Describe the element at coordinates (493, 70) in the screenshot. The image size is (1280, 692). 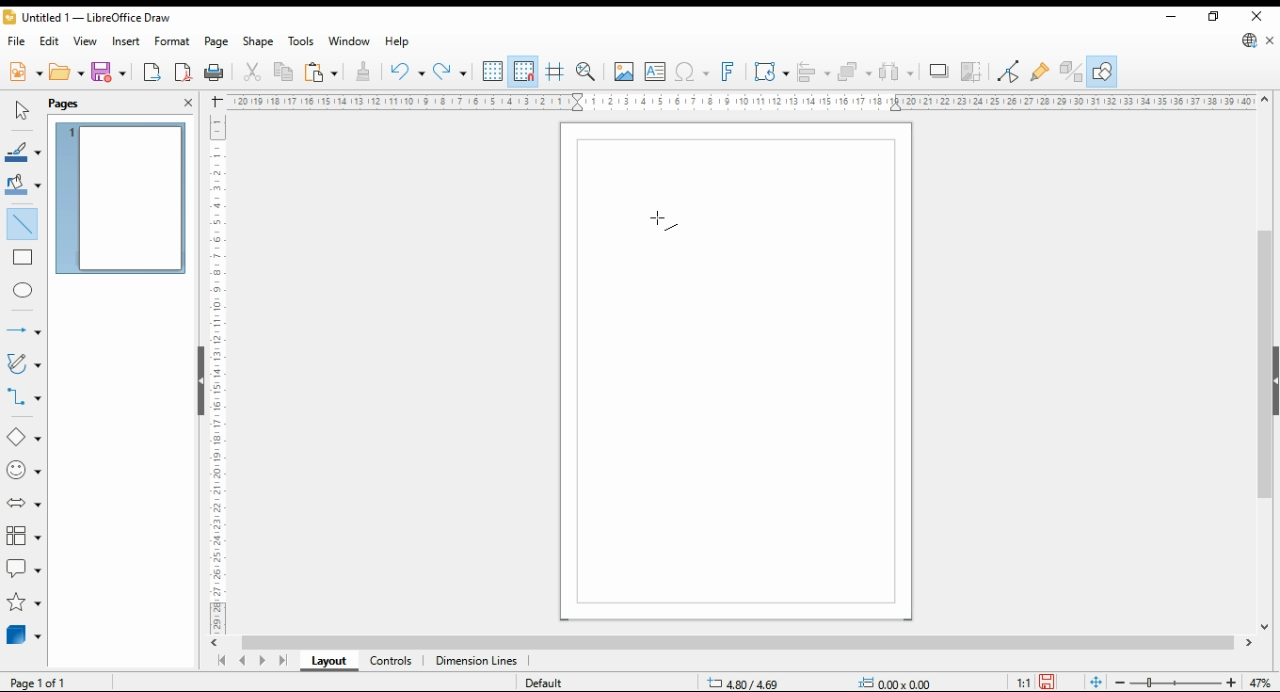
I see `display grid` at that location.